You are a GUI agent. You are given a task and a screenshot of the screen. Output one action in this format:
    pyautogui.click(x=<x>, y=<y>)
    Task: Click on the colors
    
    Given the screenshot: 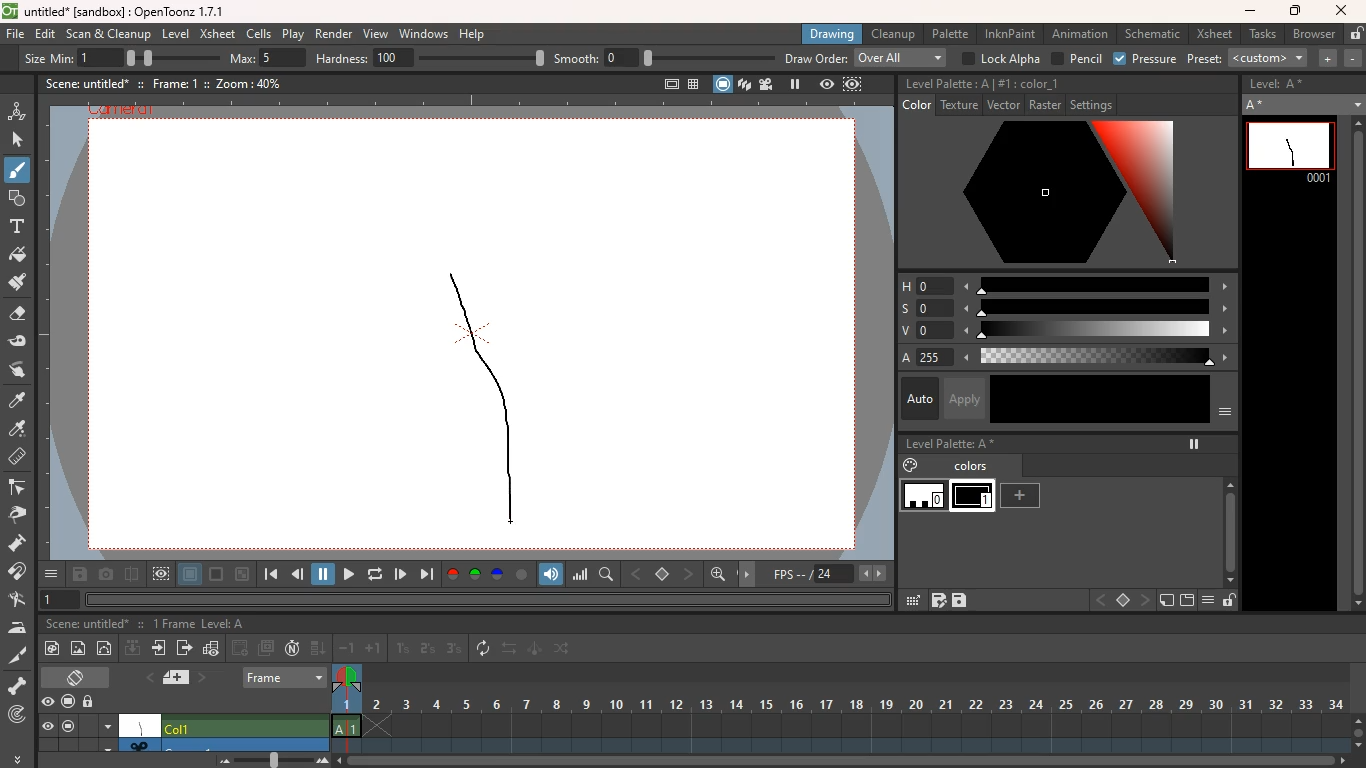 What is the action you would take?
    pyautogui.click(x=972, y=468)
    